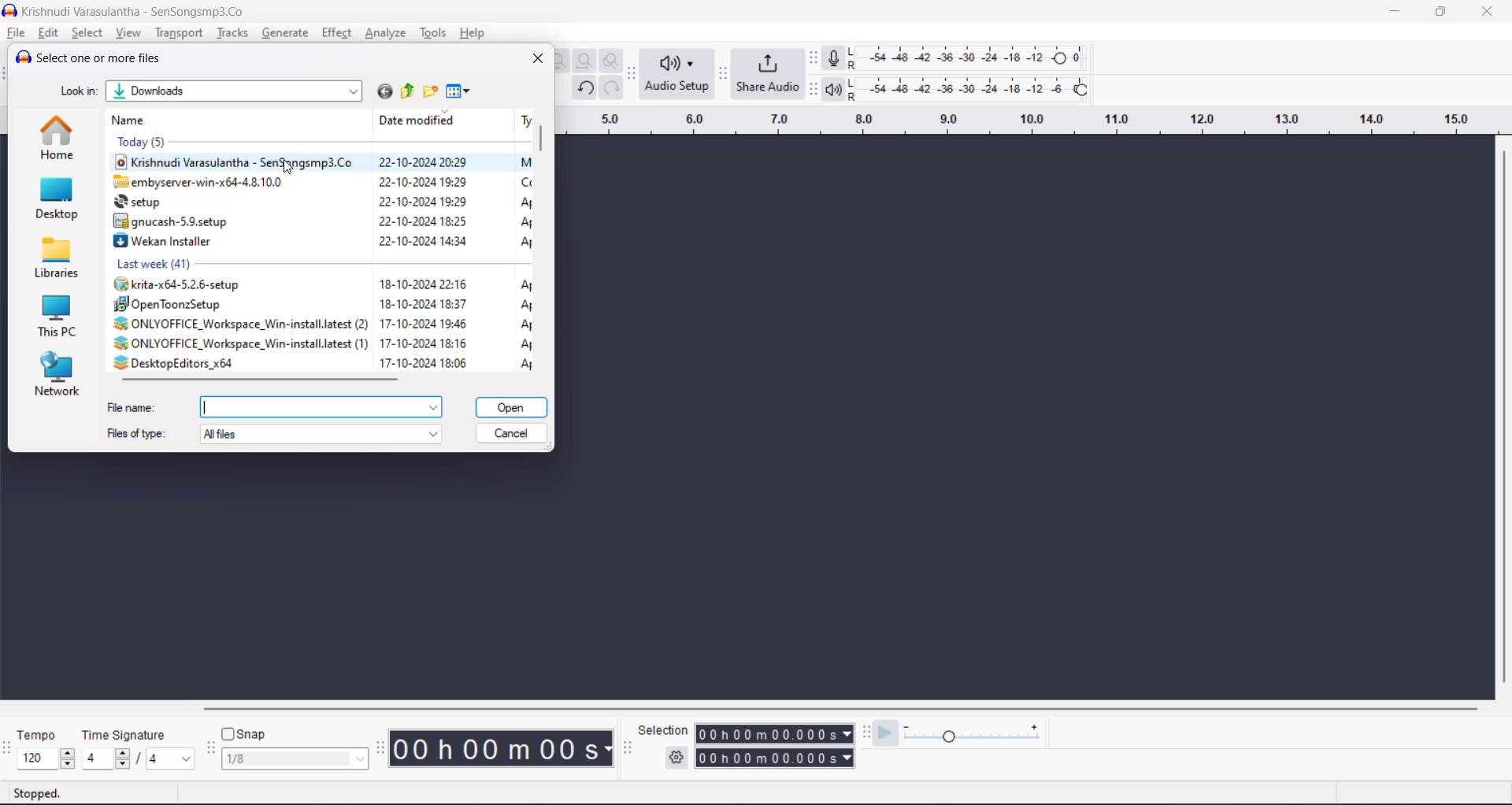 Image resolution: width=1512 pixels, height=805 pixels. I want to click on help, so click(473, 33).